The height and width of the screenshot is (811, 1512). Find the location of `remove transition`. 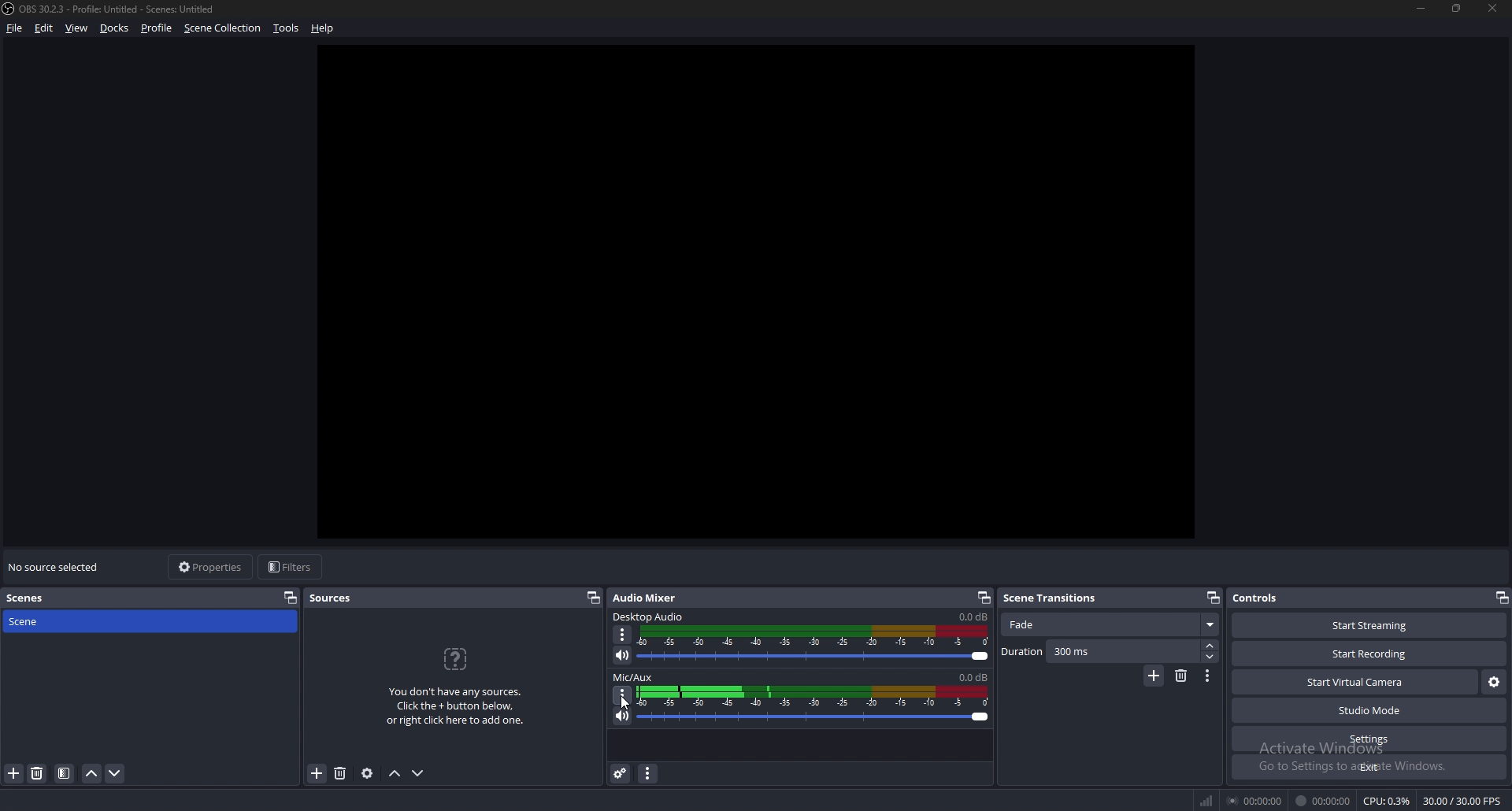

remove transition is located at coordinates (1182, 678).